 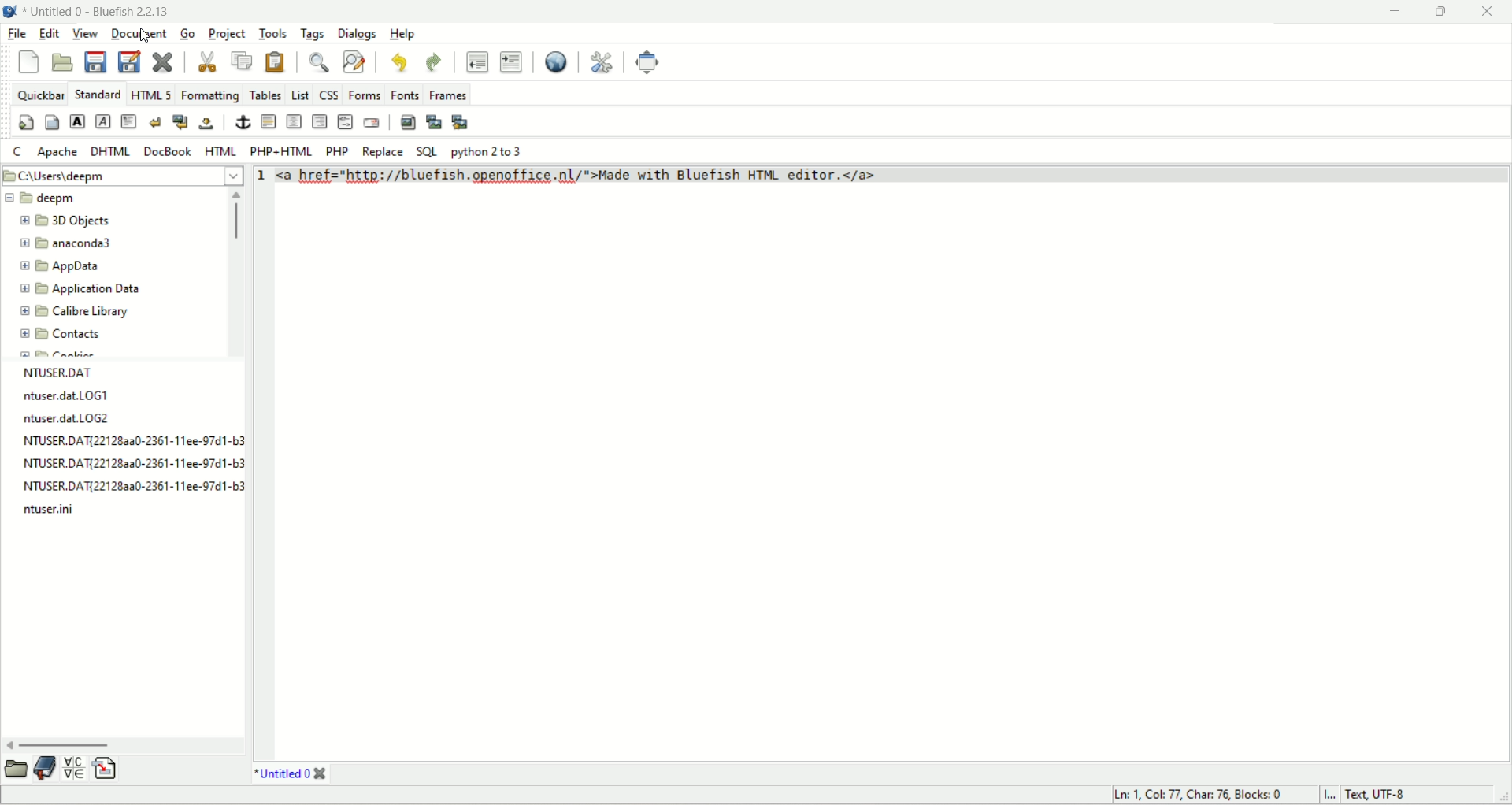 What do you see at coordinates (557, 61) in the screenshot?
I see `preview in browser` at bounding box center [557, 61].